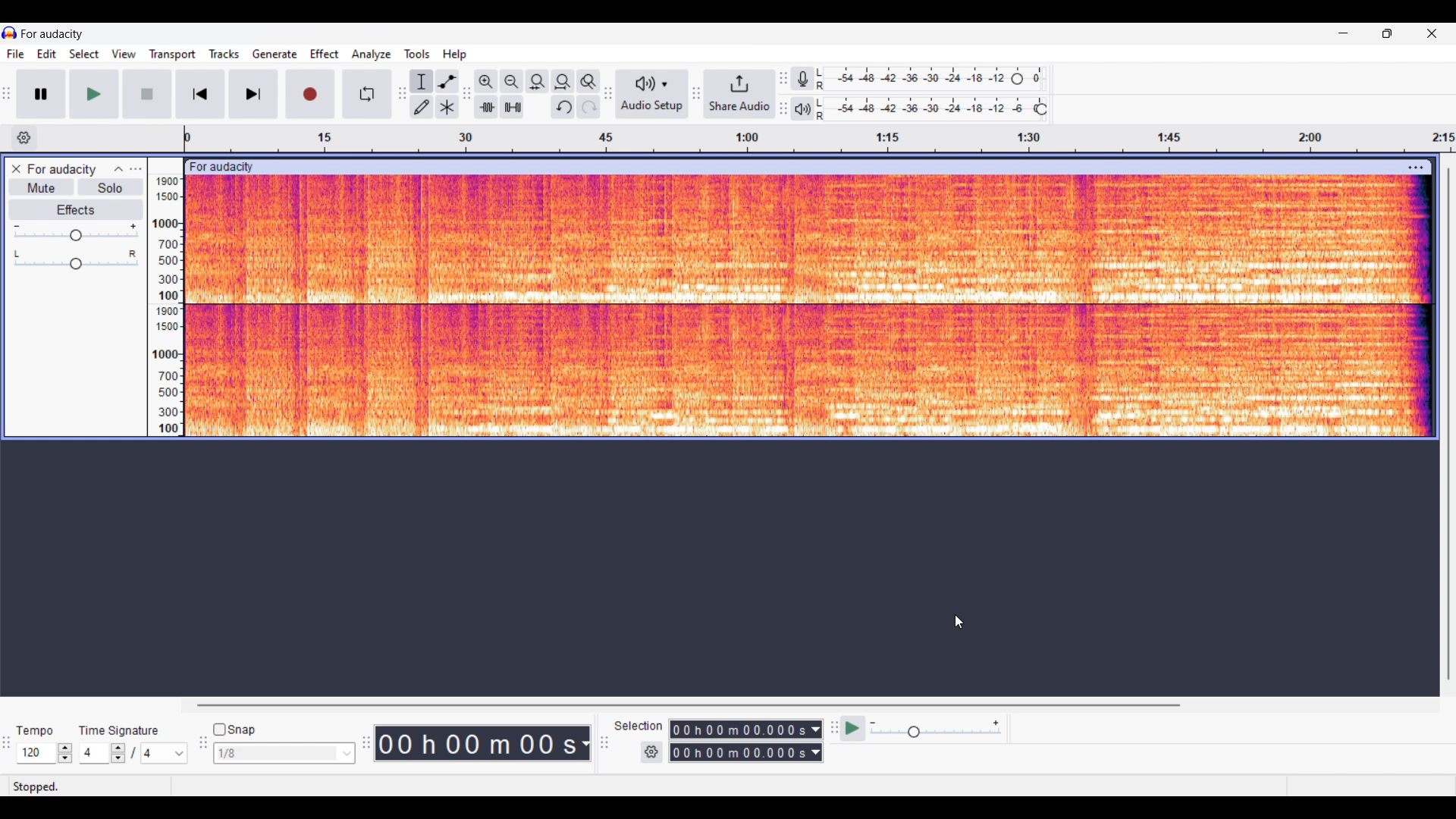  What do you see at coordinates (42, 94) in the screenshot?
I see `Pause` at bounding box center [42, 94].